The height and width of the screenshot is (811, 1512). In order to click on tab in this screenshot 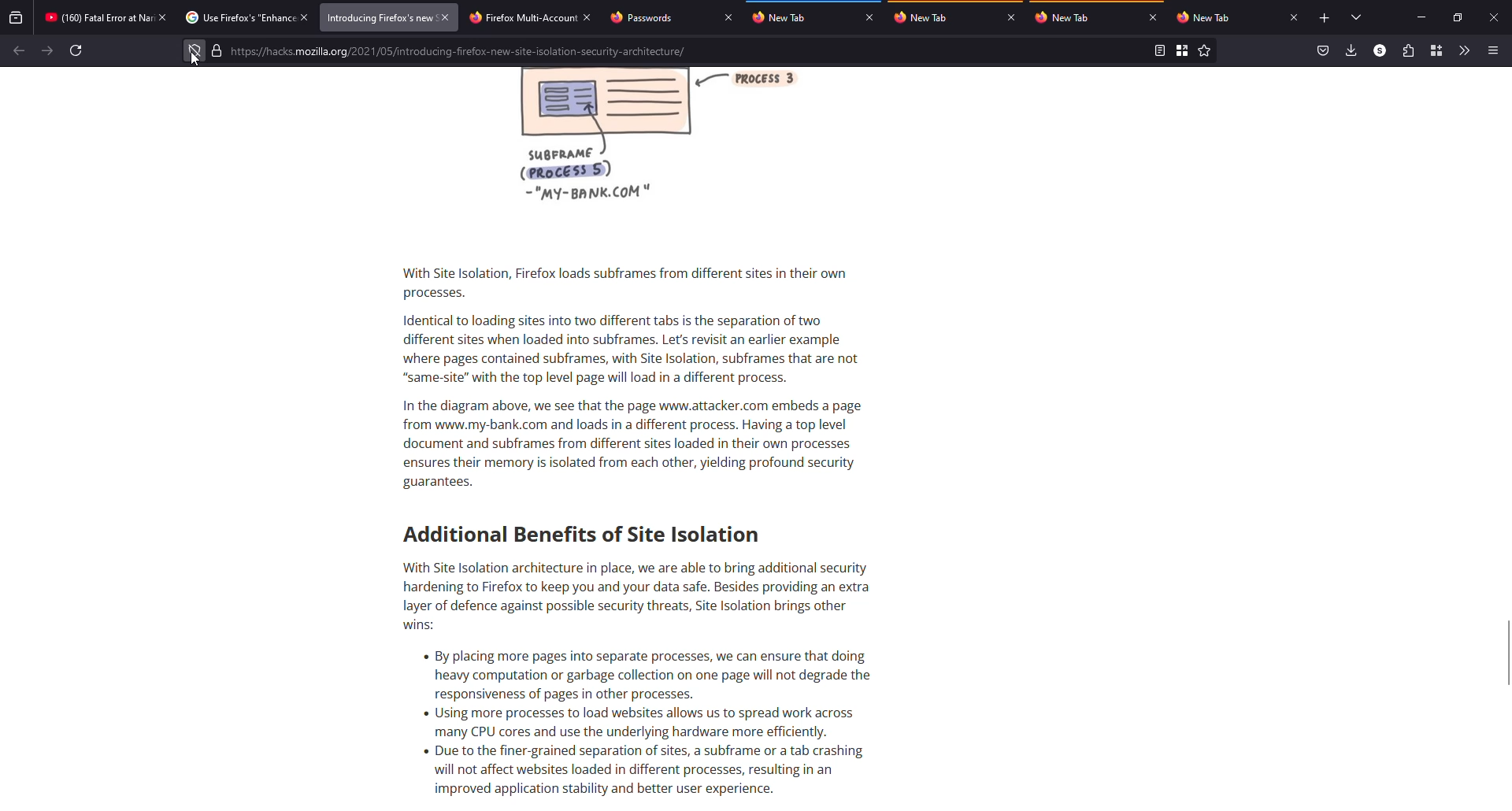, I will do `click(785, 17)`.